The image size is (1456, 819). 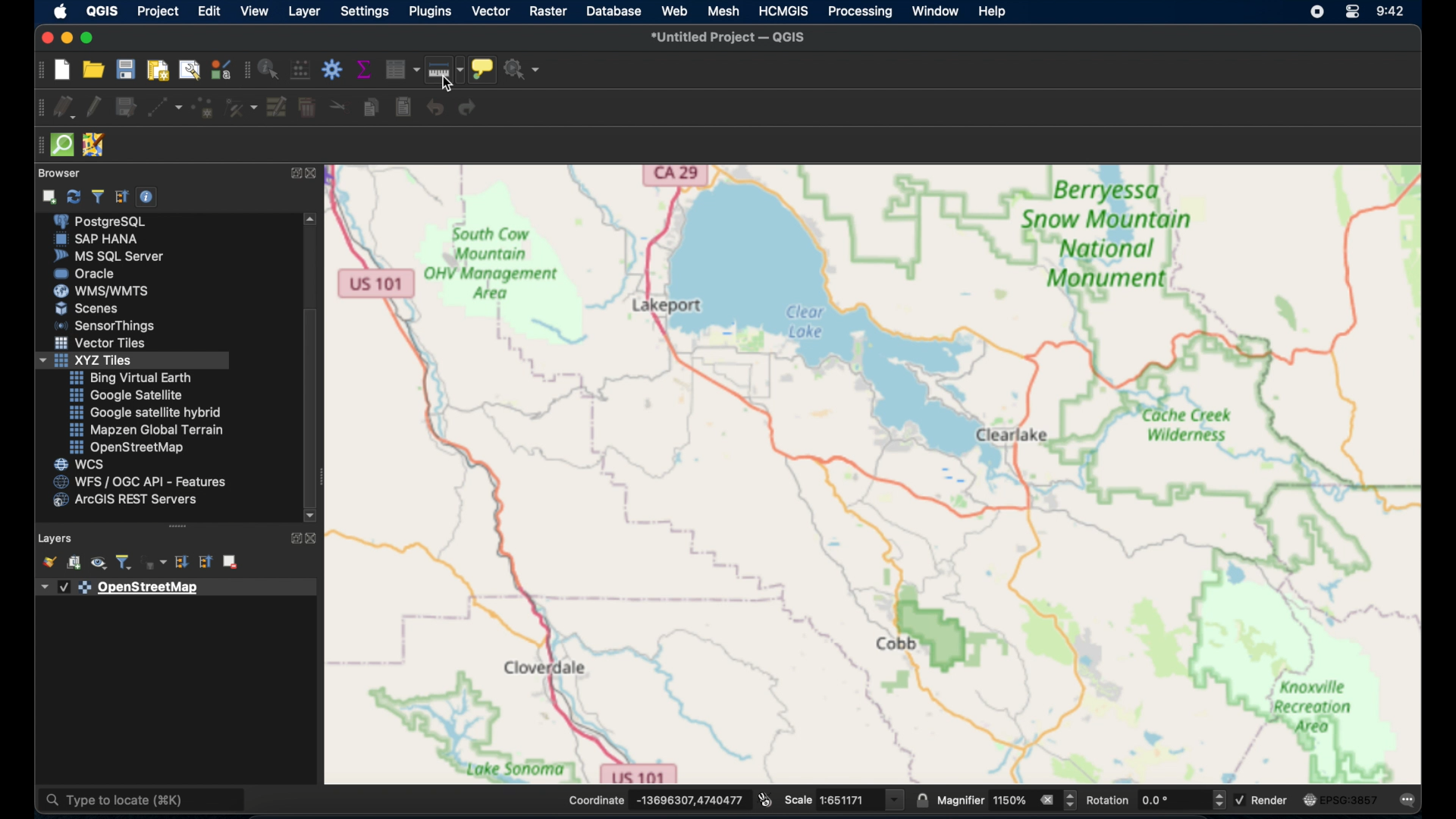 I want to click on create new project, so click(x=61, y=70).